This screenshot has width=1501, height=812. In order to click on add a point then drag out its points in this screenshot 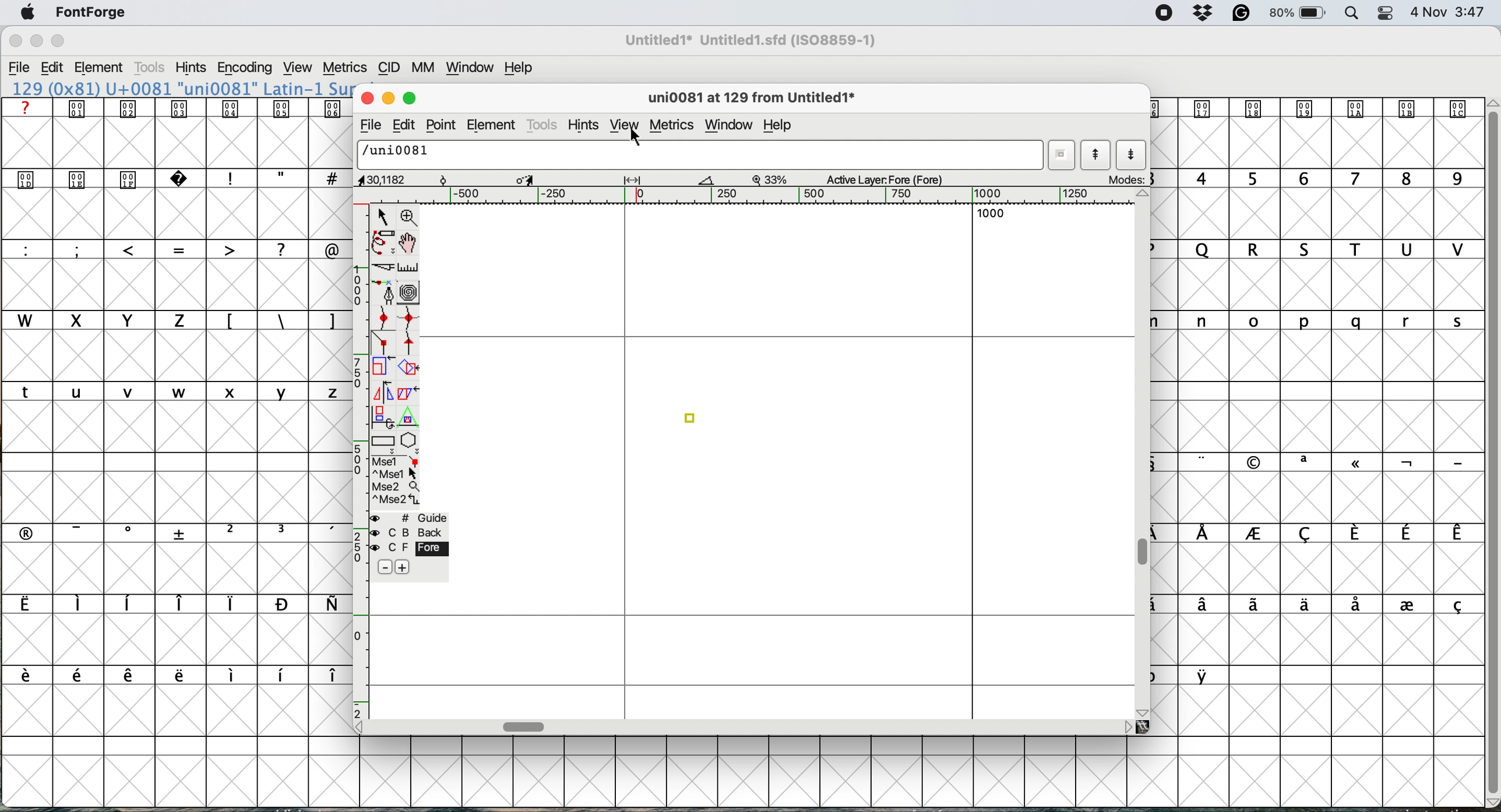, I will do `click(385, 291)`.